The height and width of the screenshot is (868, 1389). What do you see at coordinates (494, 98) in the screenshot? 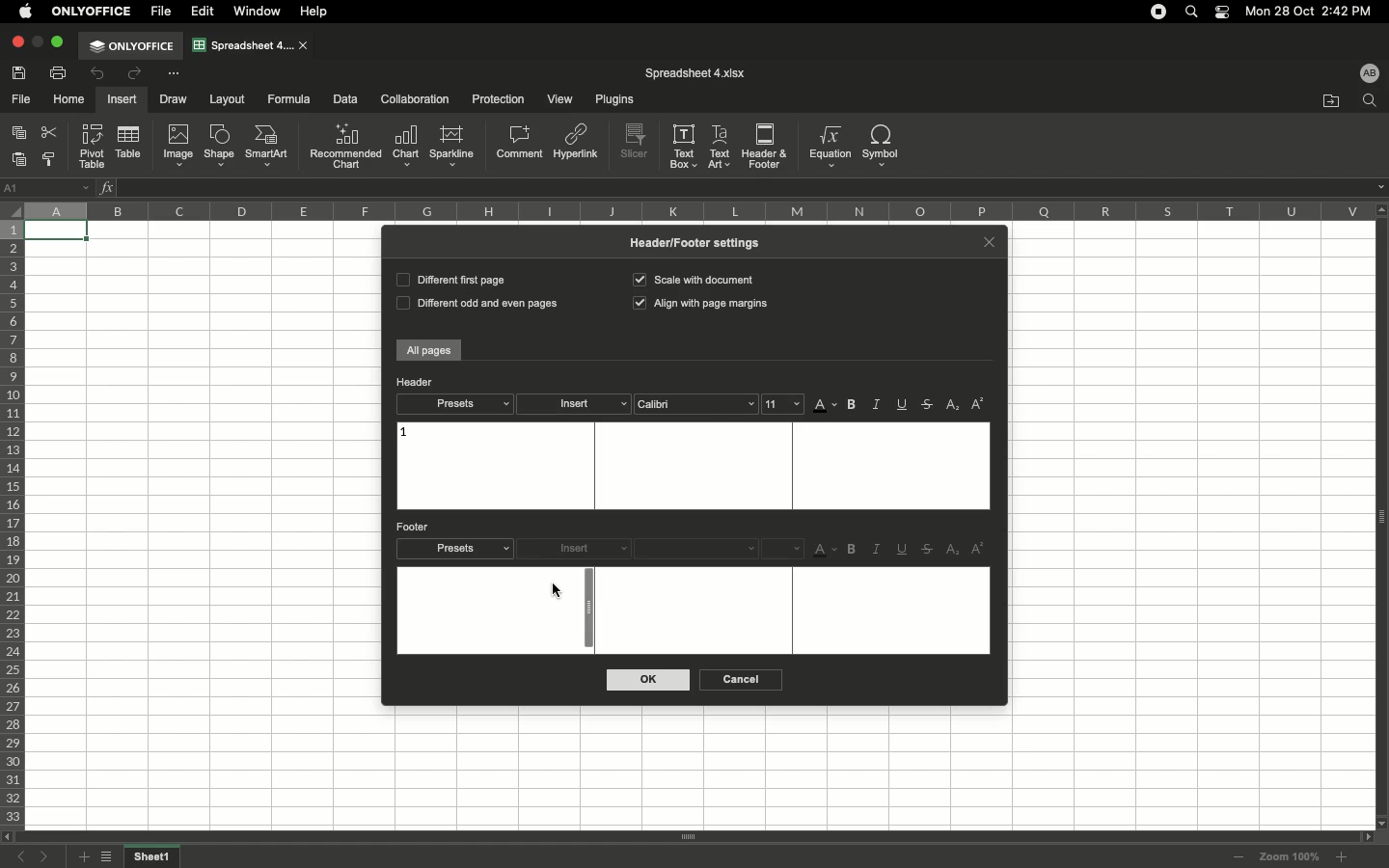
I see `Protection` at bounding box center [494, 98].